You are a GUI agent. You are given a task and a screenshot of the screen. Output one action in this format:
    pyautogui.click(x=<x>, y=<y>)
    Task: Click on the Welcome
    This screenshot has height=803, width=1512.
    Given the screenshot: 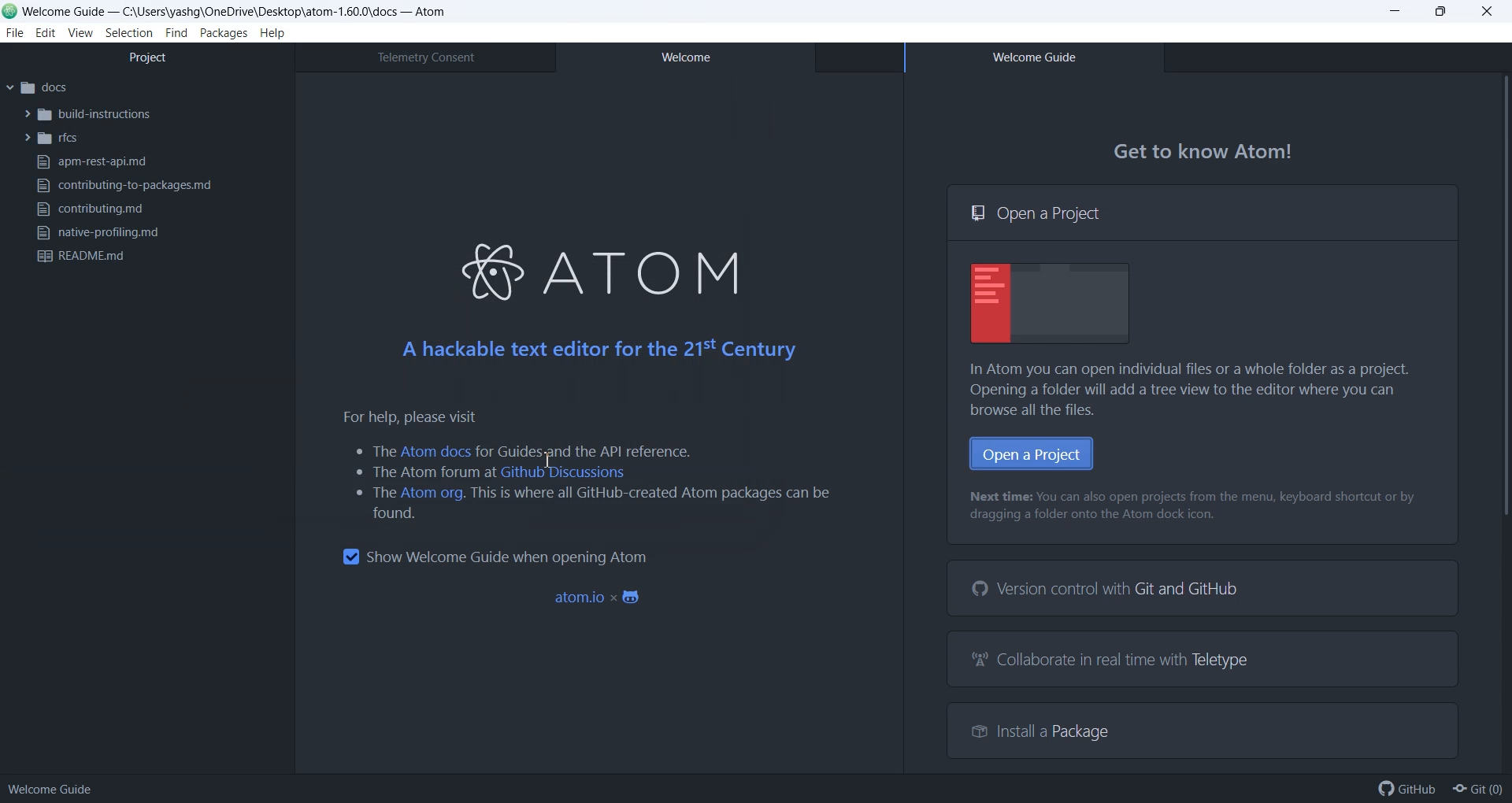 What is the action you would take?
    pyautogui.click(x=684, y=57)
    